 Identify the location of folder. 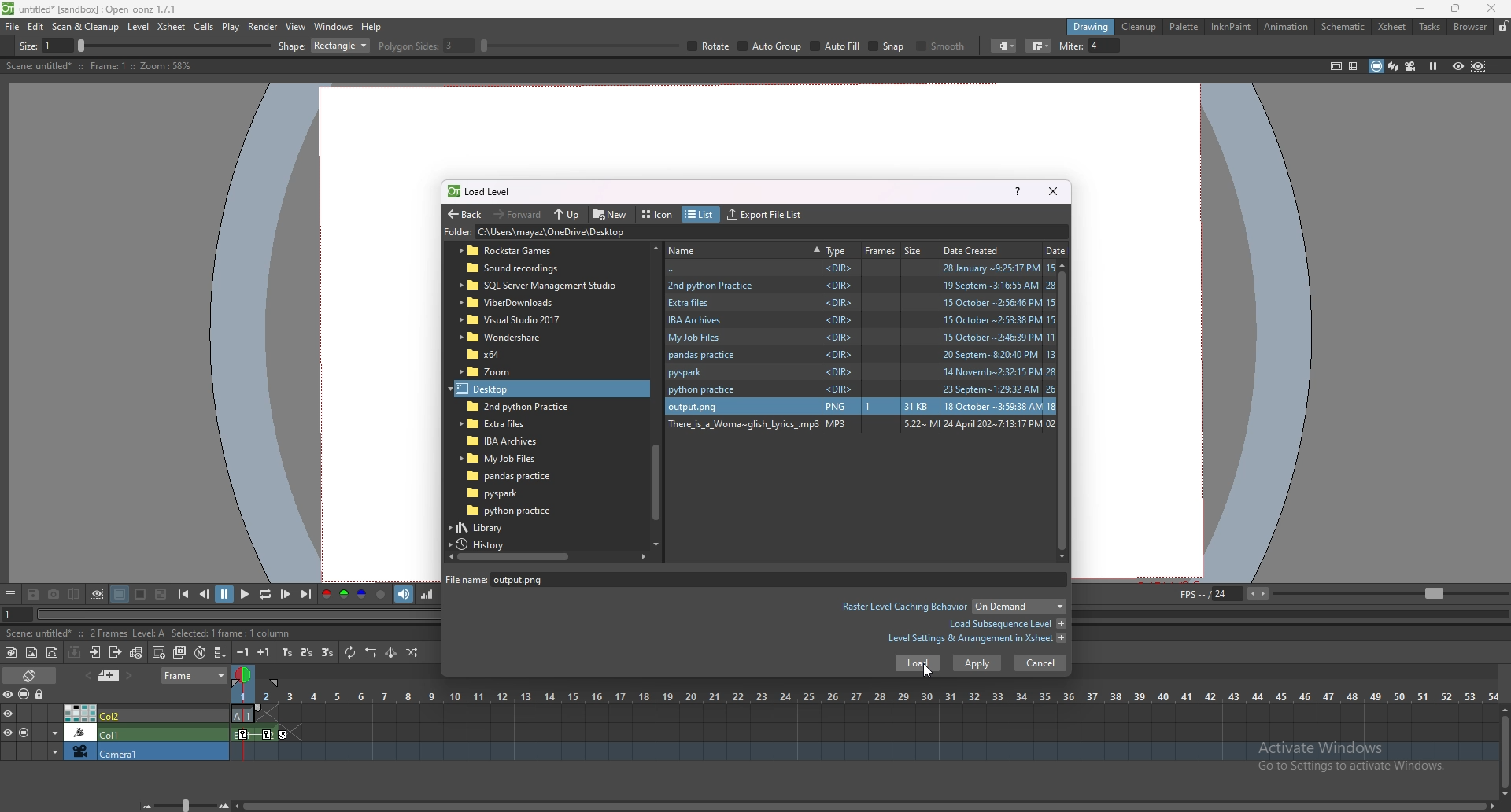
(861, 302).